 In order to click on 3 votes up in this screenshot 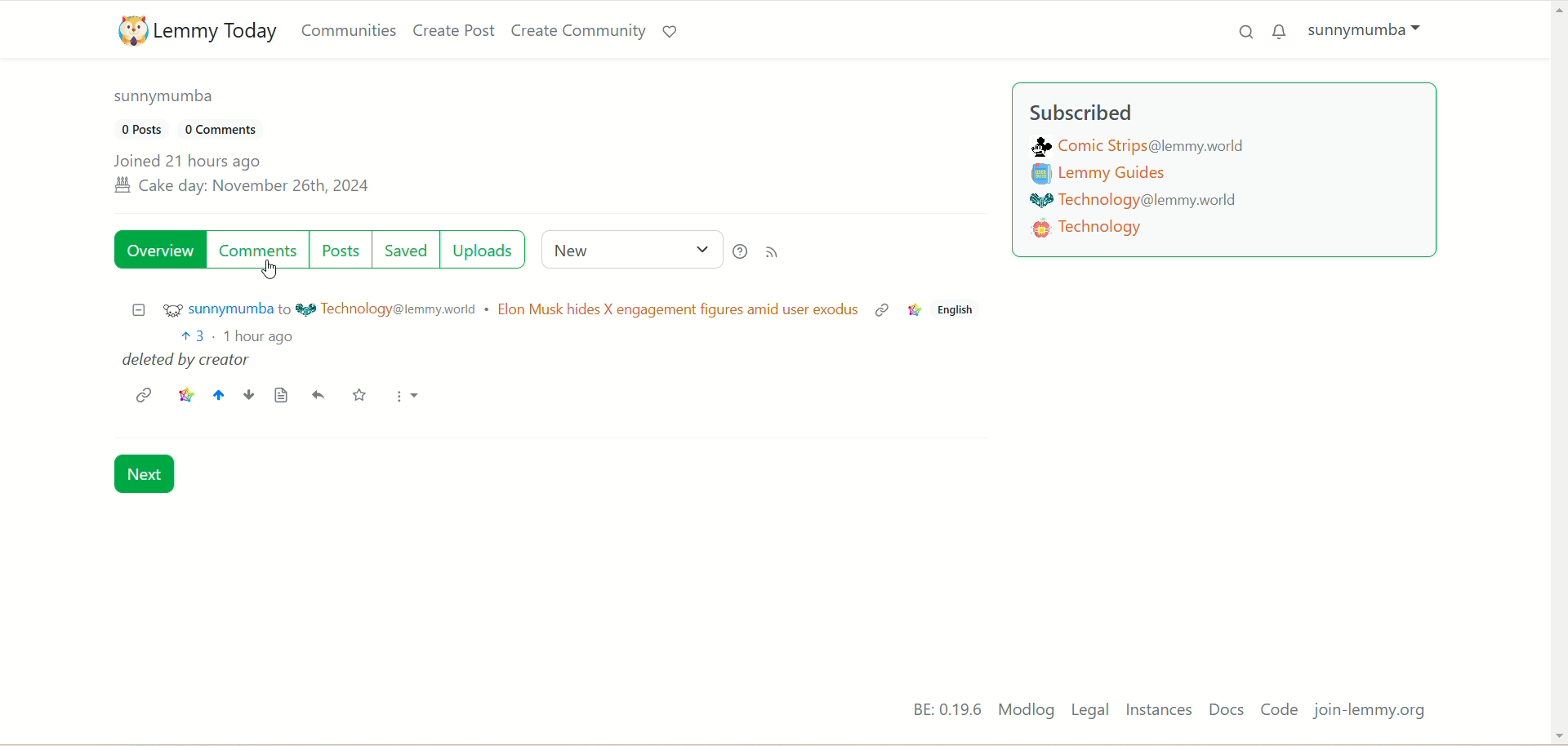, I will do `click(193, 335)`.